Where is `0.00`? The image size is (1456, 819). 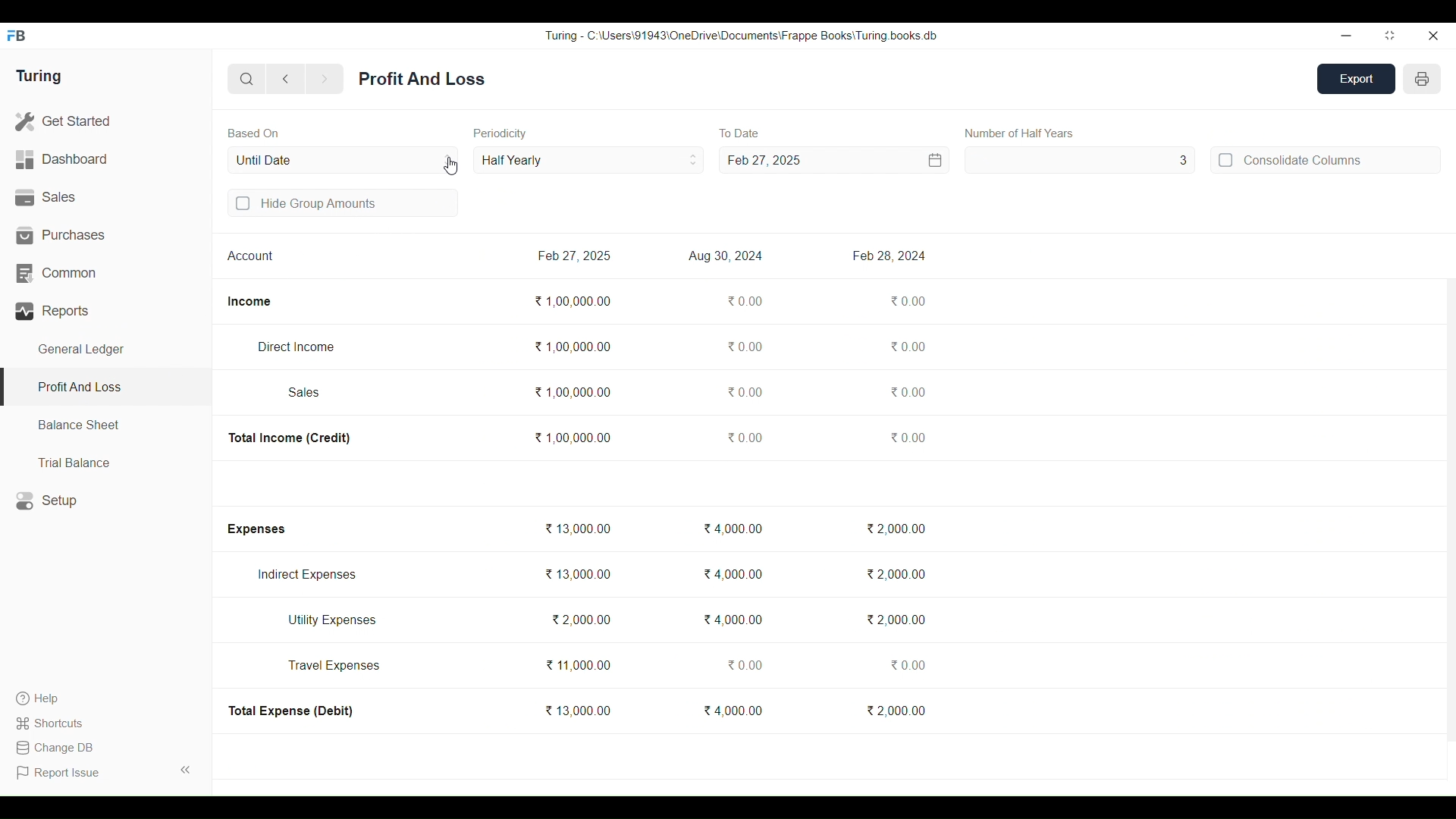
0.00 is located at coordinates (745, 437).